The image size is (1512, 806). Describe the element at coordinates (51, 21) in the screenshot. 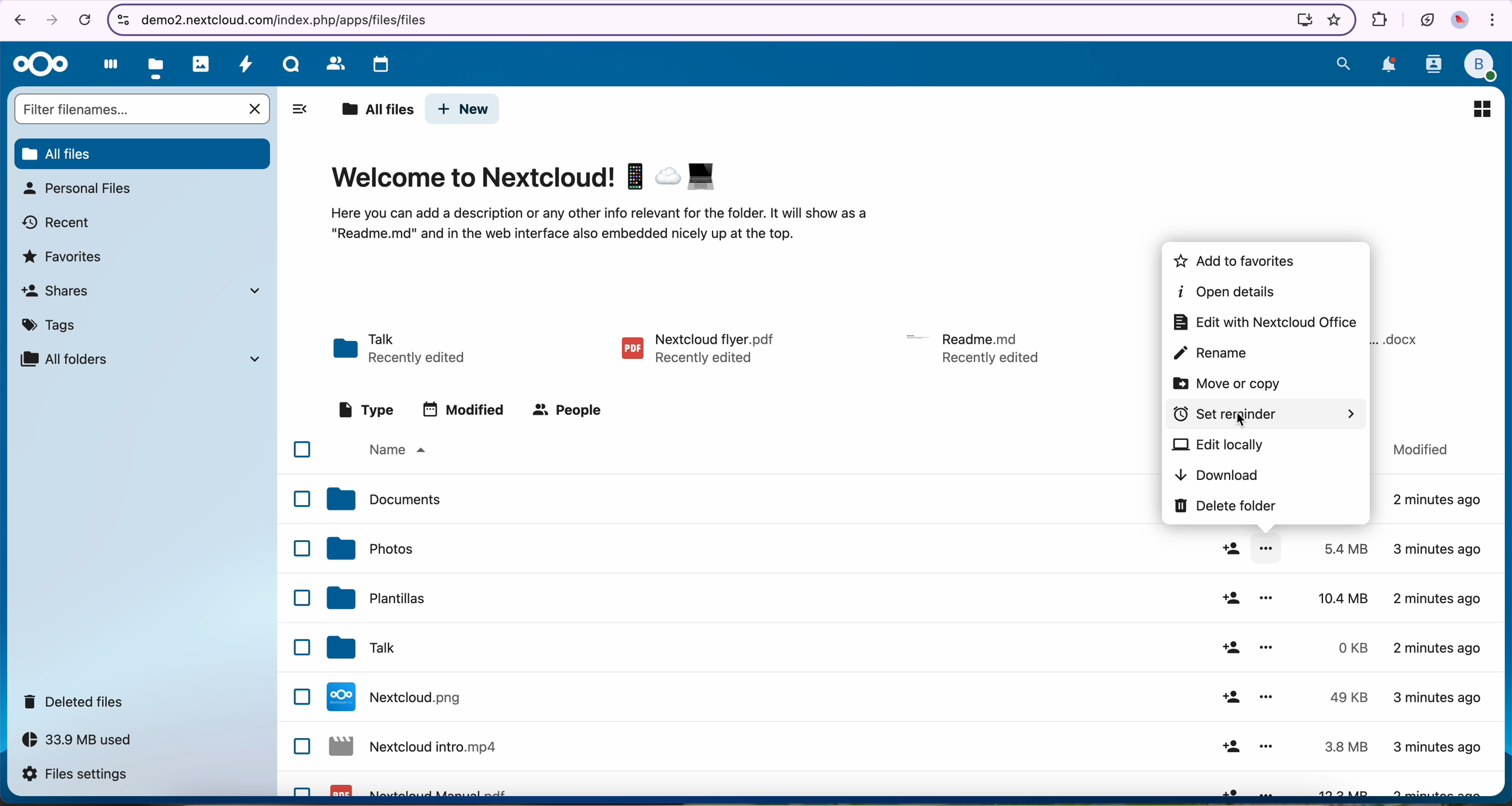

I see `navigate foward` at that location.